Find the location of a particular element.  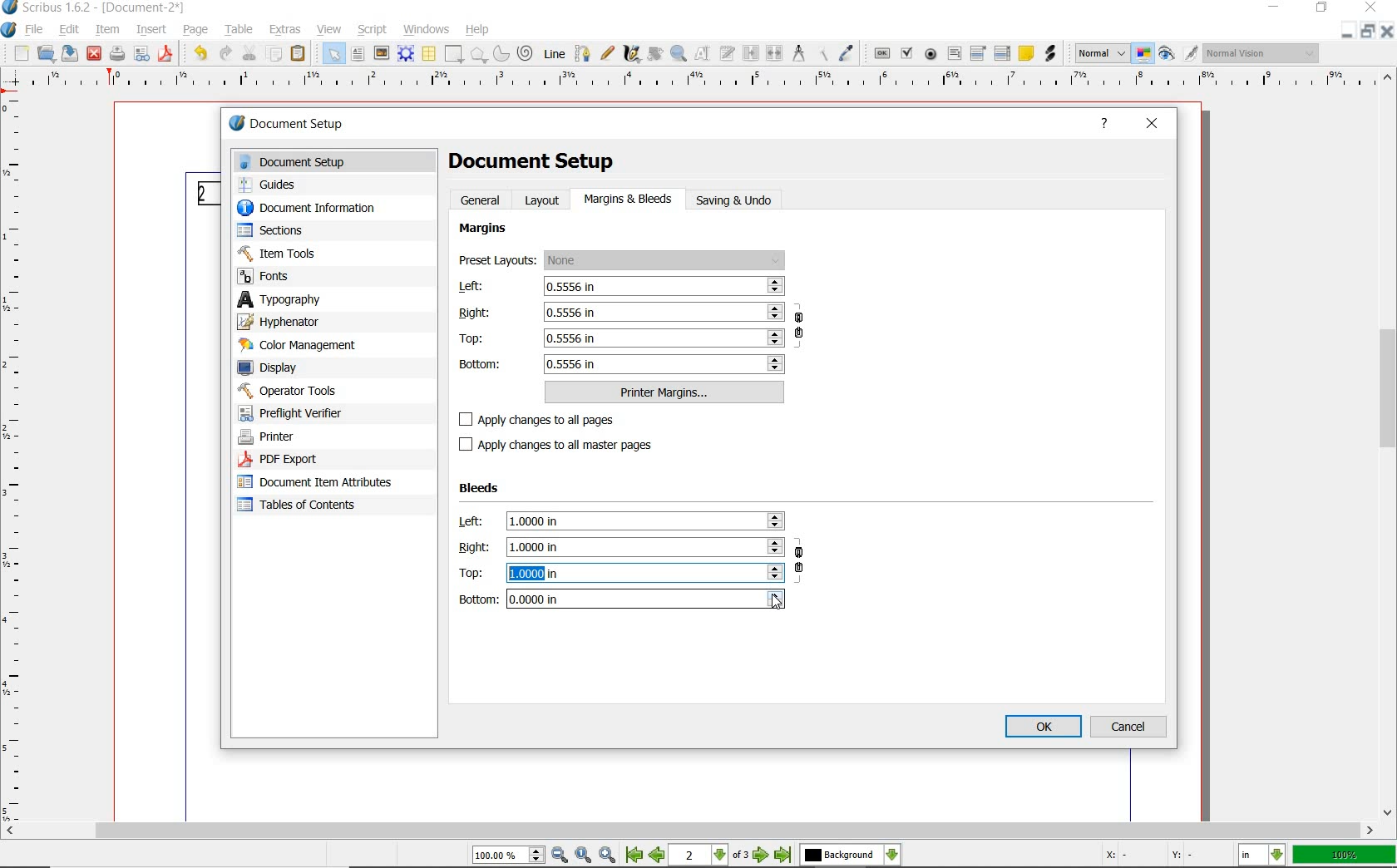

Zoom to 100% is located at coordinates (584, 856).